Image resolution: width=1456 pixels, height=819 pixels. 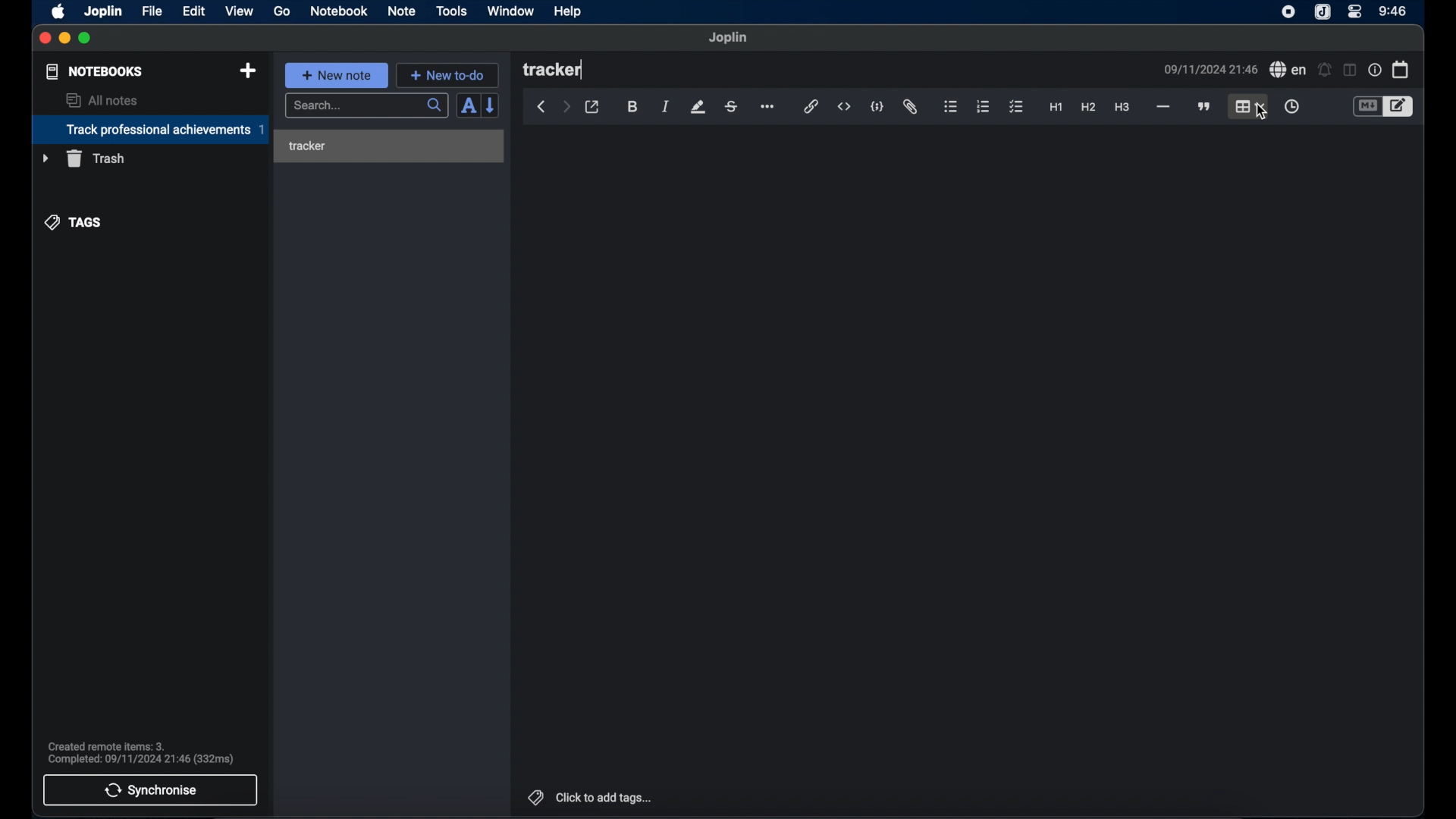 What do you see at coordinates (588, 797) in the screenshot?
I see `click to add tags` at bounding box center [588, 797].